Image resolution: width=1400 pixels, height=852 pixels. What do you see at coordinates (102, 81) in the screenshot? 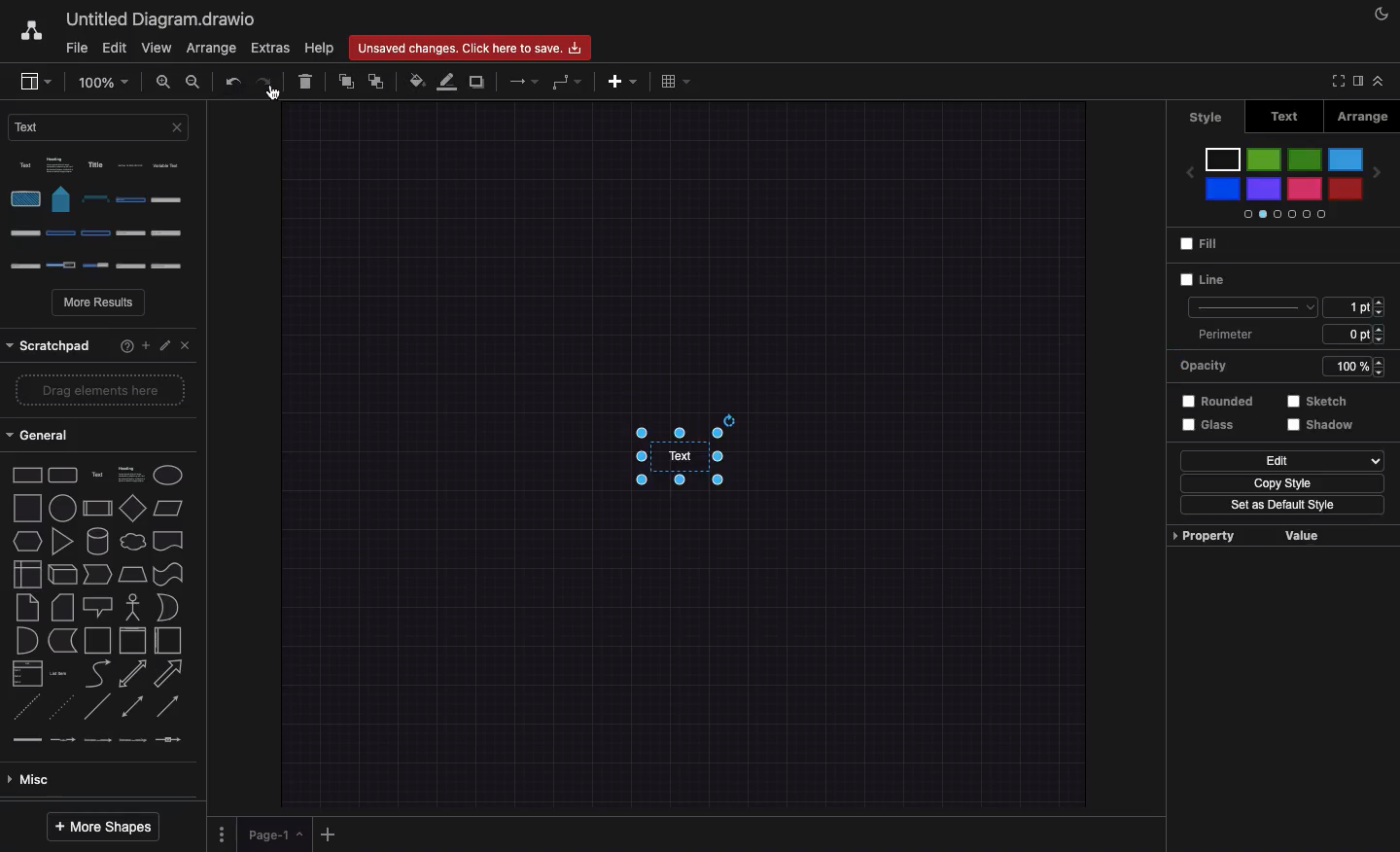
I see `Zoom` at bounding box center [102, 81].